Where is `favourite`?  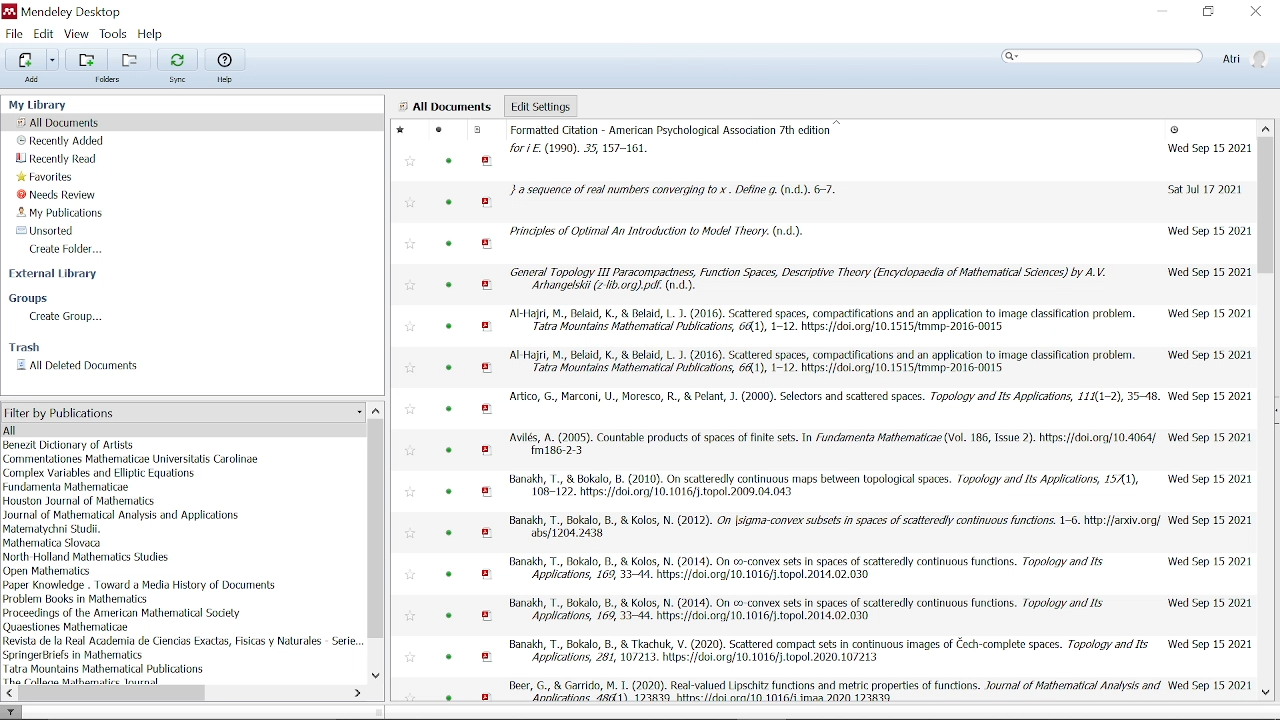 favourite is located at coordinates (408, 694).